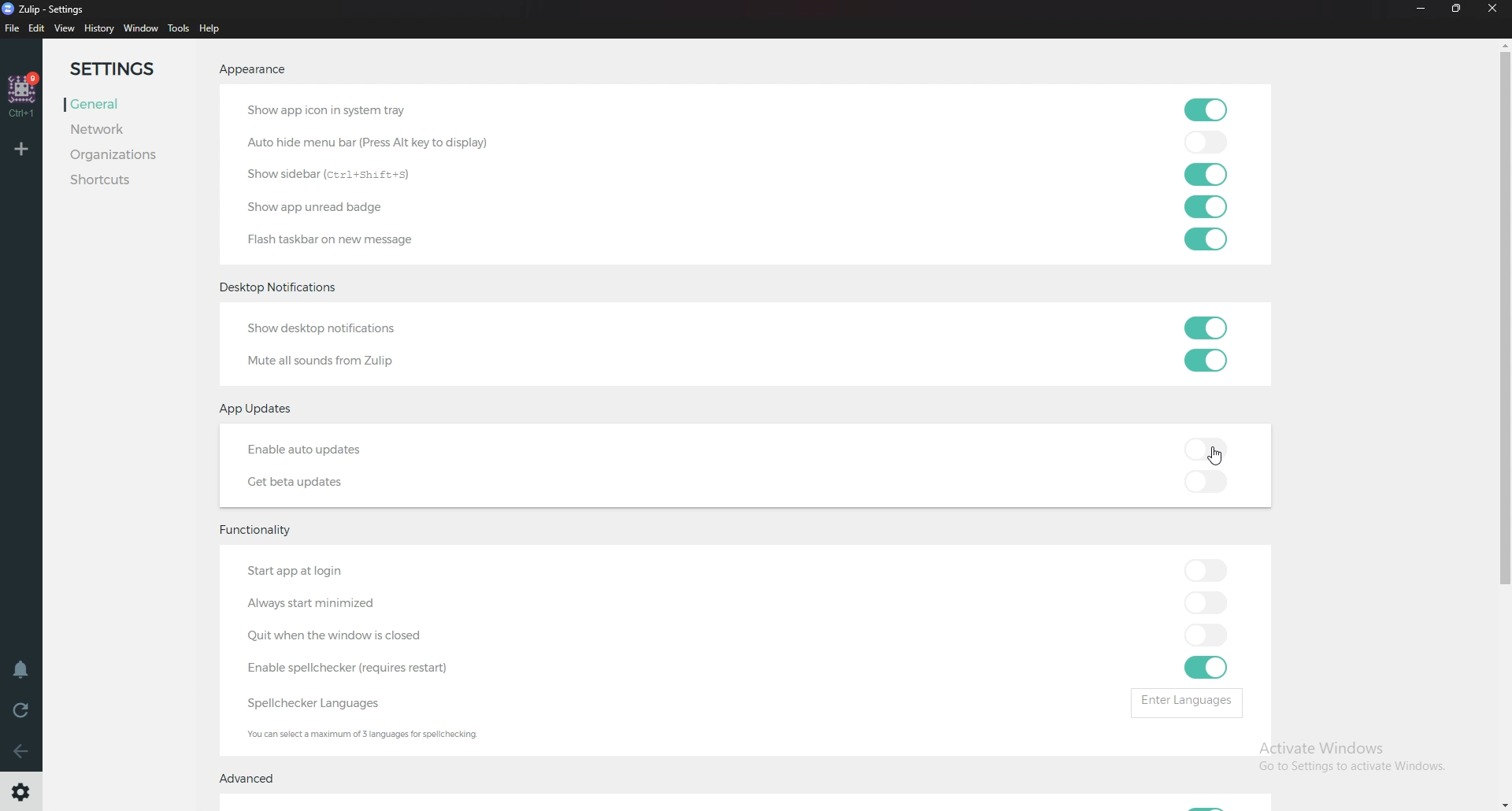 This screenshot has height=811, width=1512. Describe the element at coordinates (1206, 802) in the screenshot. I see `Toggle` at that location.